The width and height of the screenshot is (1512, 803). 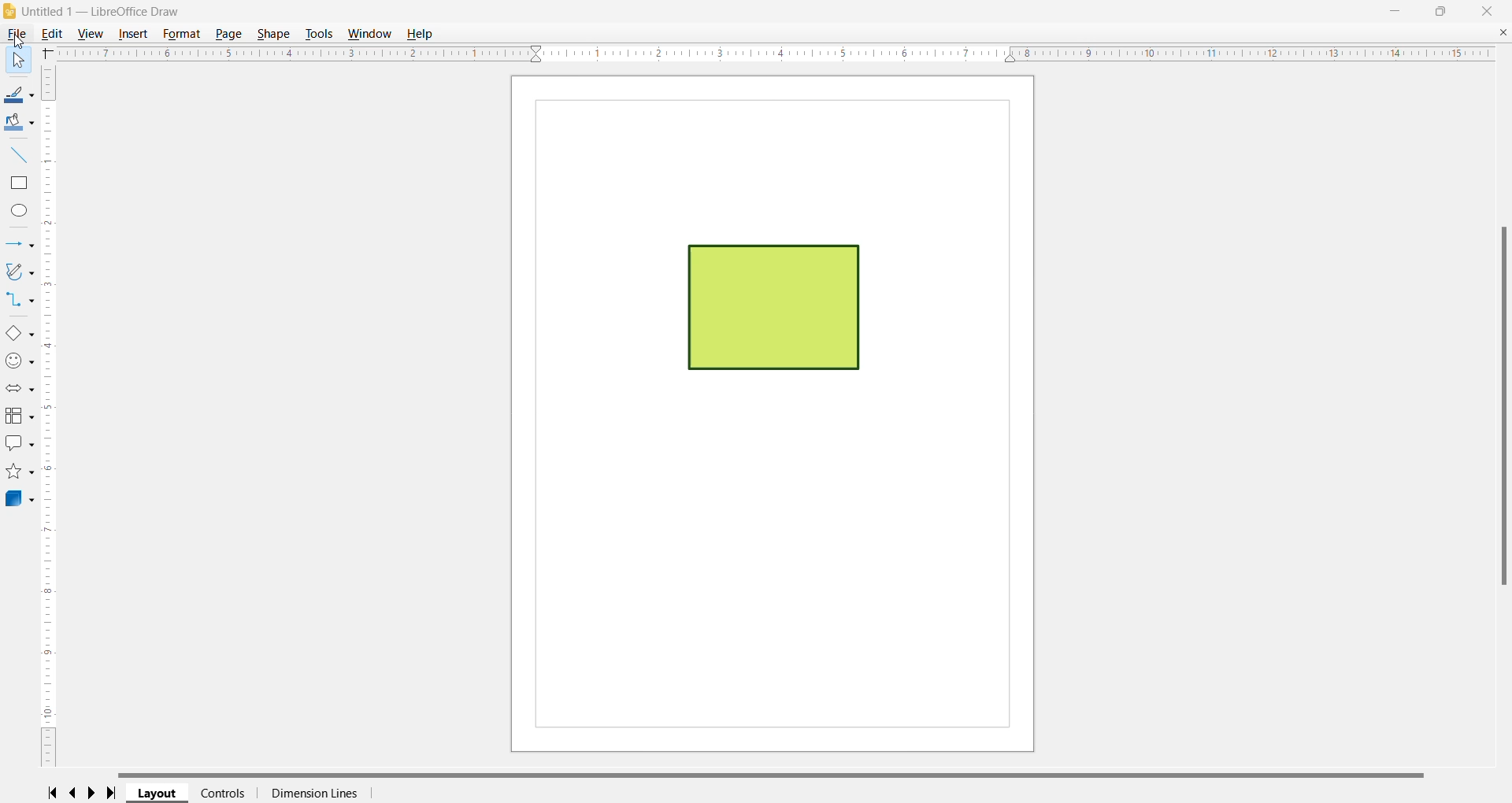 I want to click on Fill Color, so click(x=17, y=124).